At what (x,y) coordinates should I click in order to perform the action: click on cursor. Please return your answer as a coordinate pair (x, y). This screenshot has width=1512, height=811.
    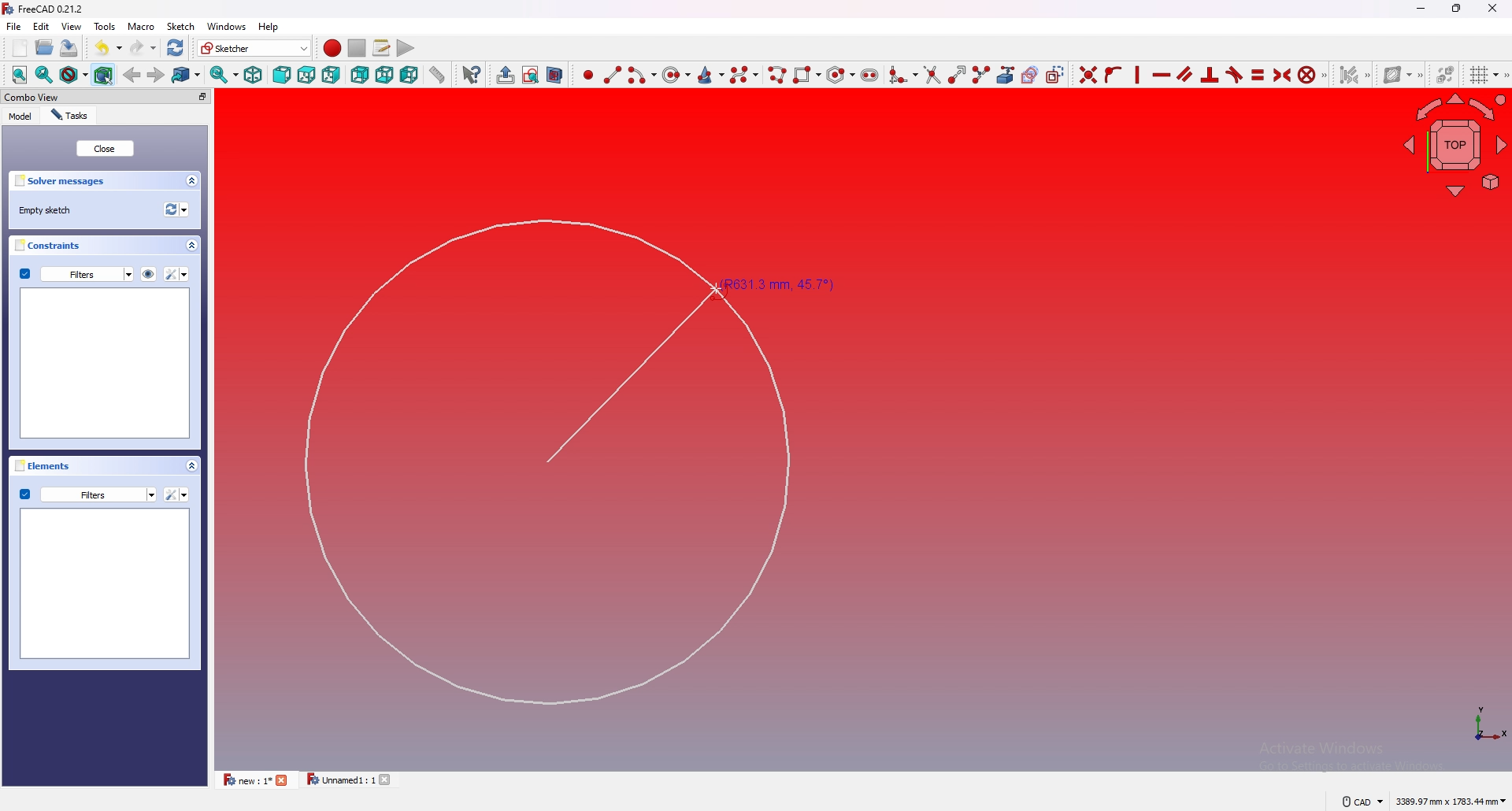
    Looking at the image, I should click on (717, 291).